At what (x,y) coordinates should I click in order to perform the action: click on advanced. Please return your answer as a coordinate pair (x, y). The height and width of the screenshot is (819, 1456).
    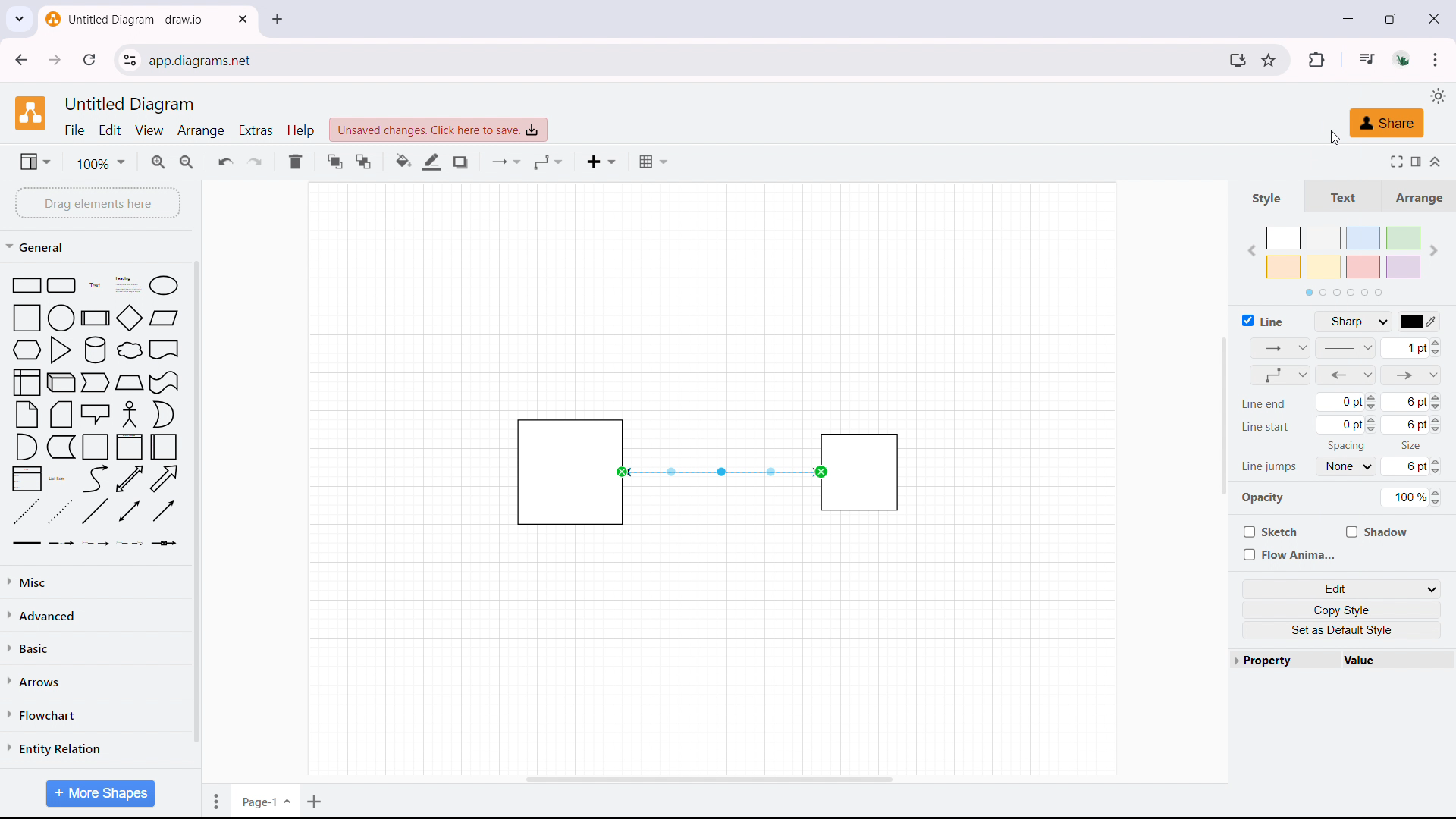
    Looking at the image, I should click on (96, 614).